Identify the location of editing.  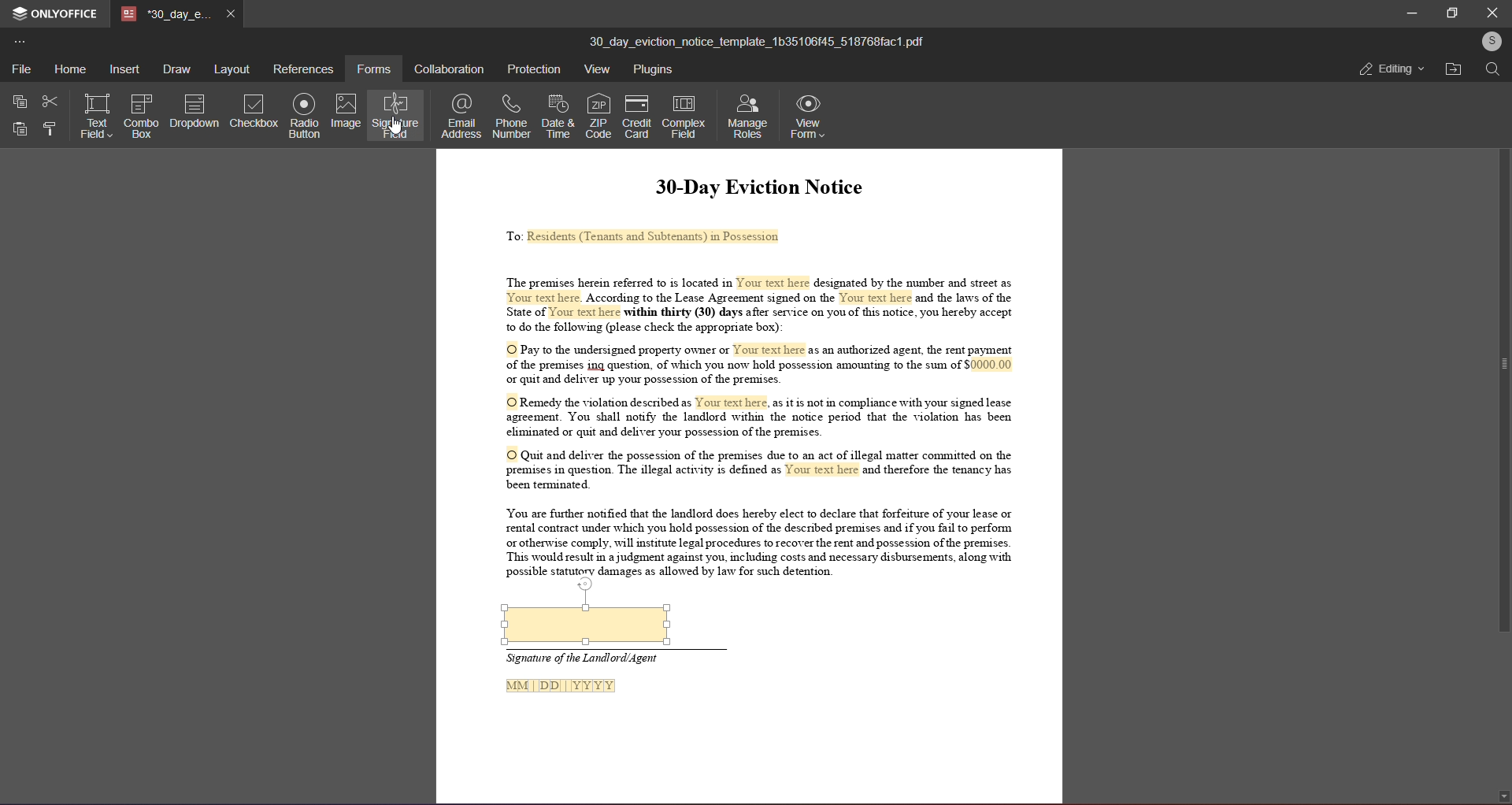
(1390, 70).